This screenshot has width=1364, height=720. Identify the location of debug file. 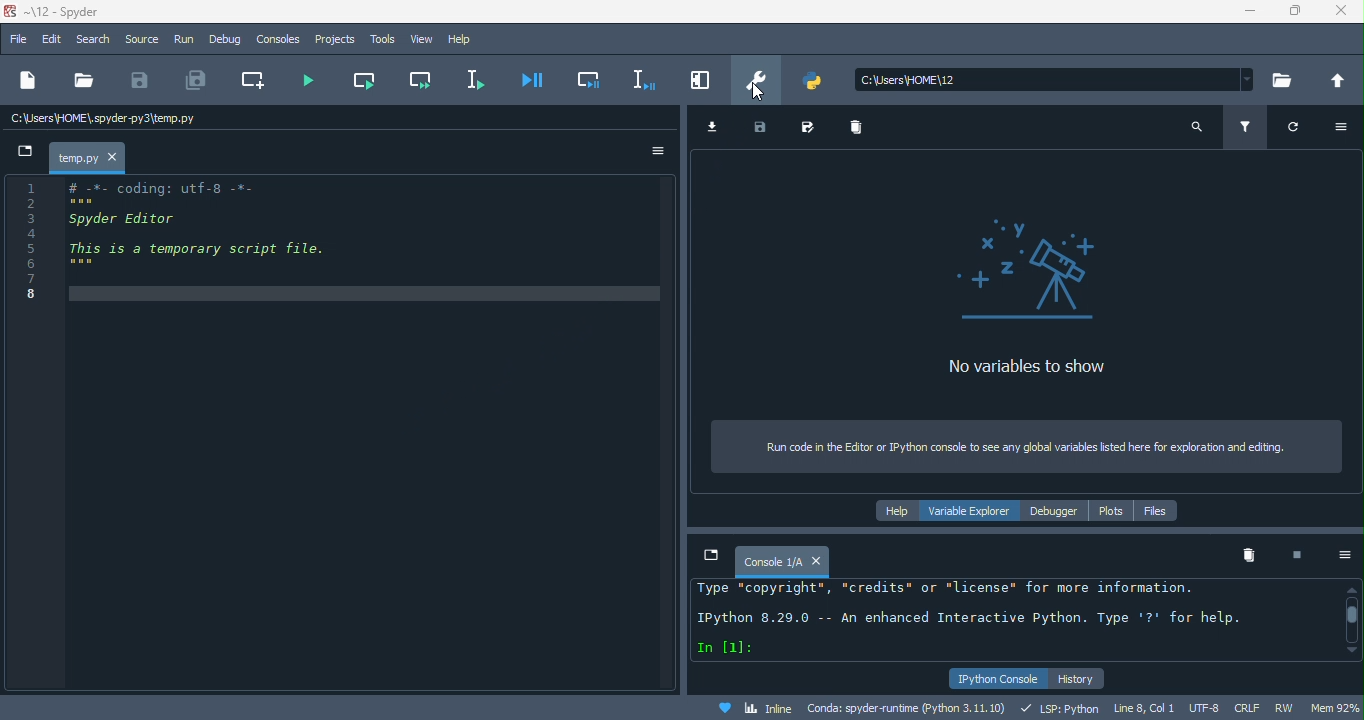
(526, 82).